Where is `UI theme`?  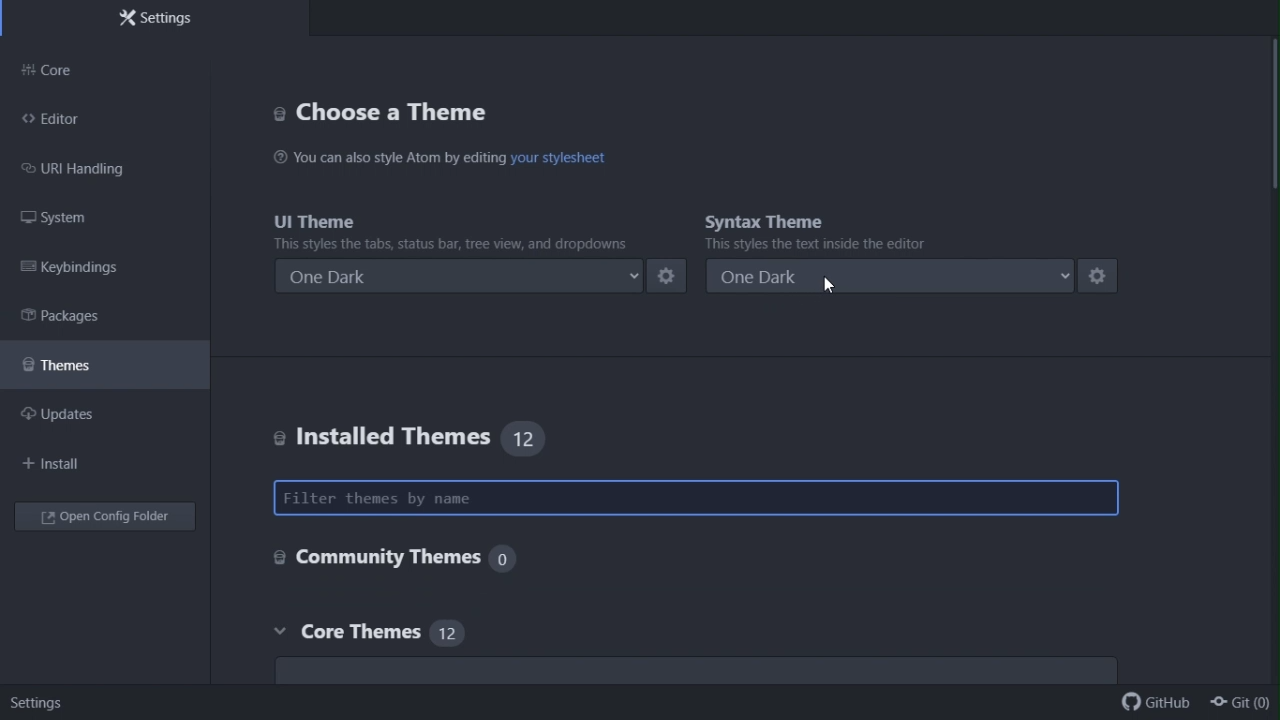 UI theme is located at coordinates (460, 229).